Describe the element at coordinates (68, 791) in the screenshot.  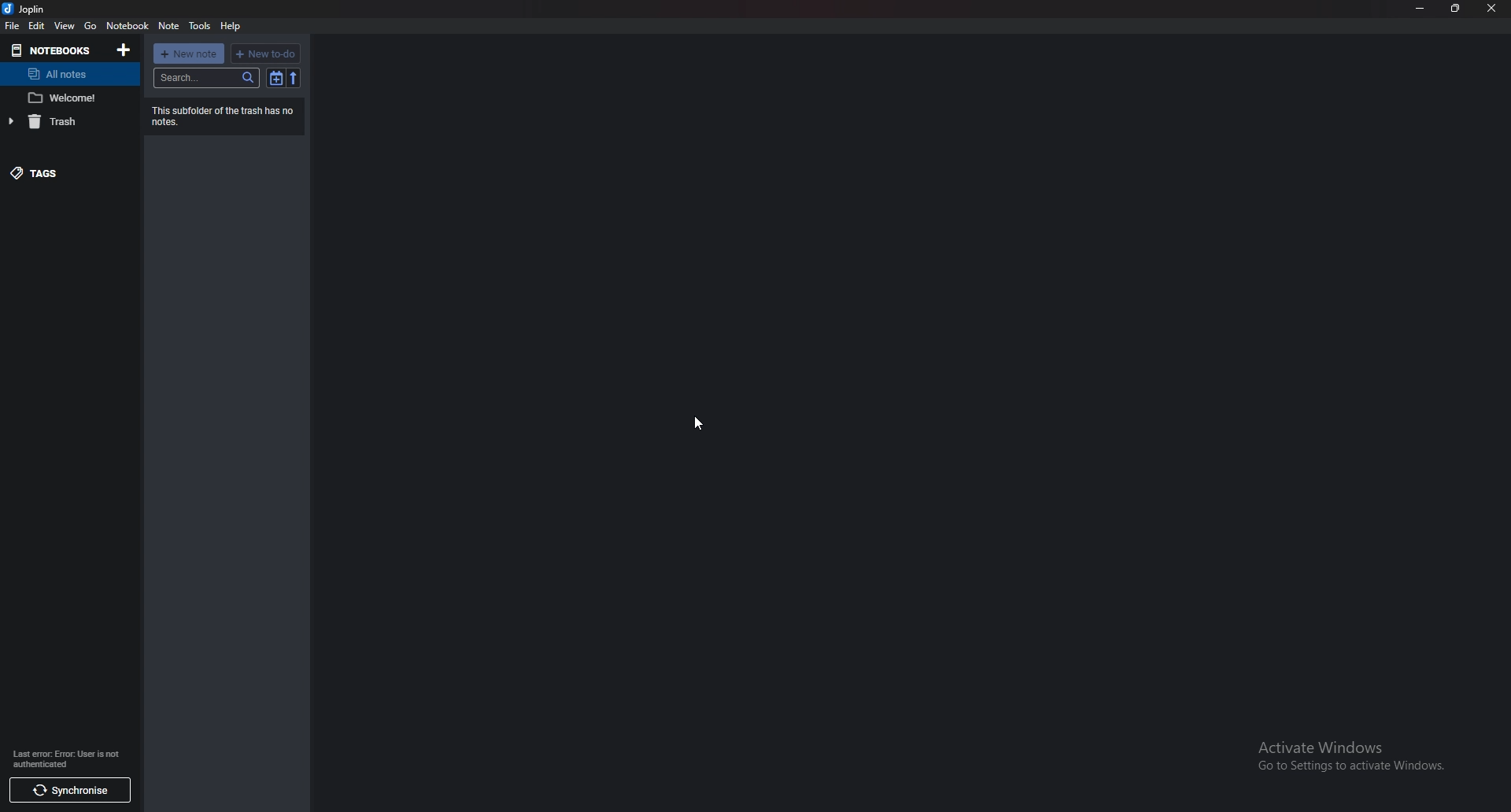
I see `synchronise` at that location.